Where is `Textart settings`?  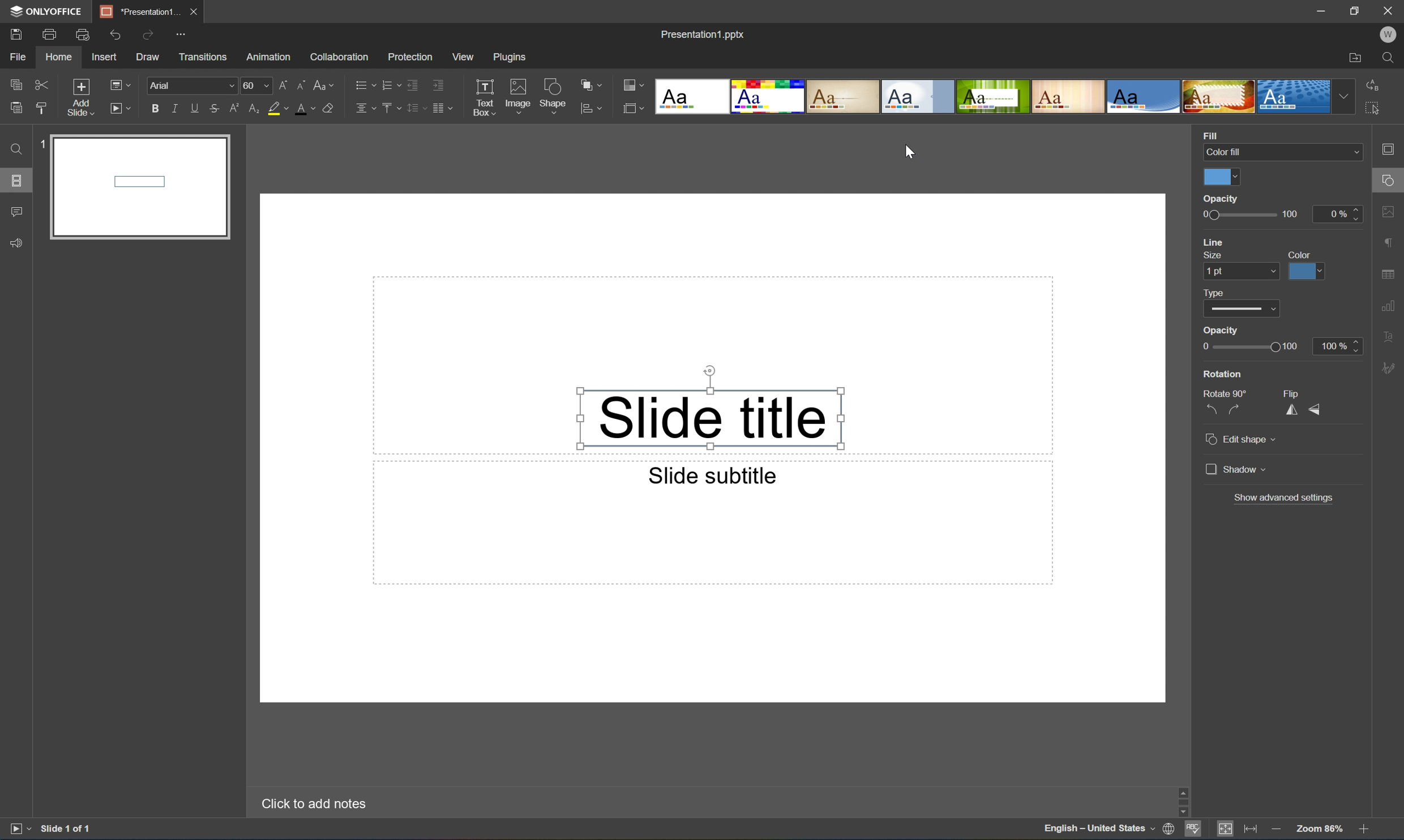
Textart settings is located at coordinates (1389, 338).